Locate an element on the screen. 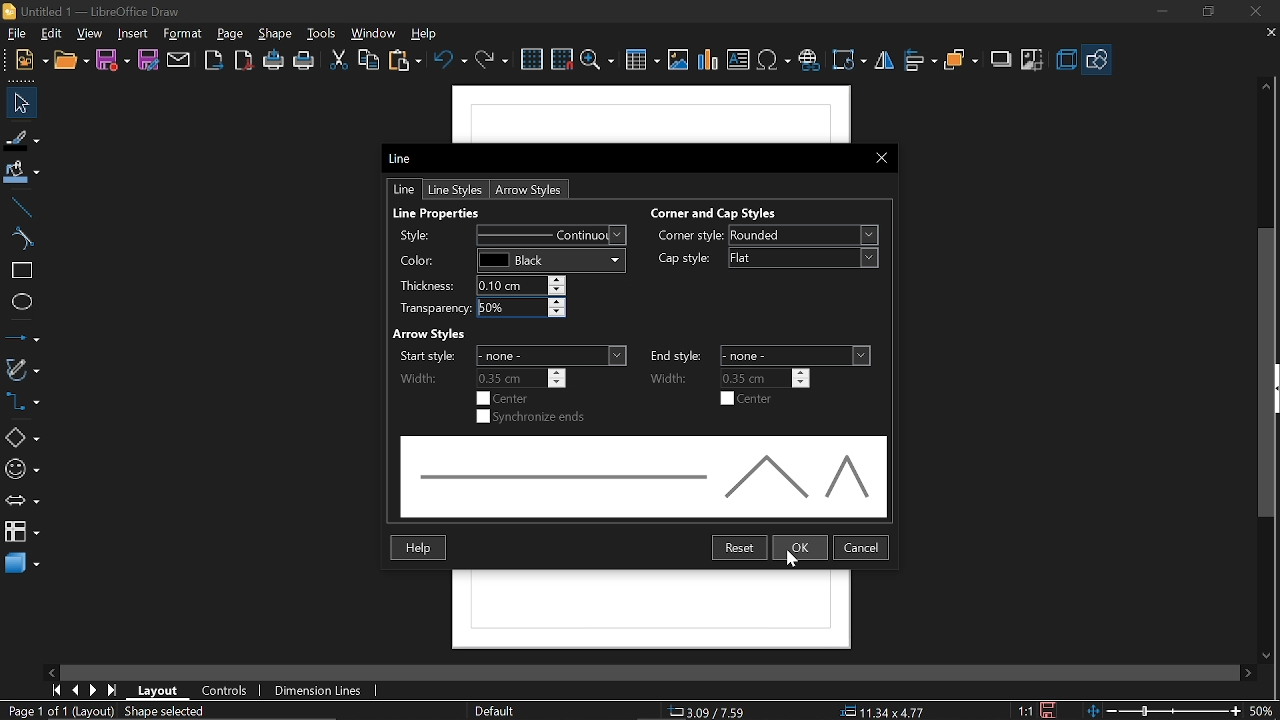 This screenshot has height=720, width=1280. Scaling factor (1:1) is located at coordinates (1026, 711).